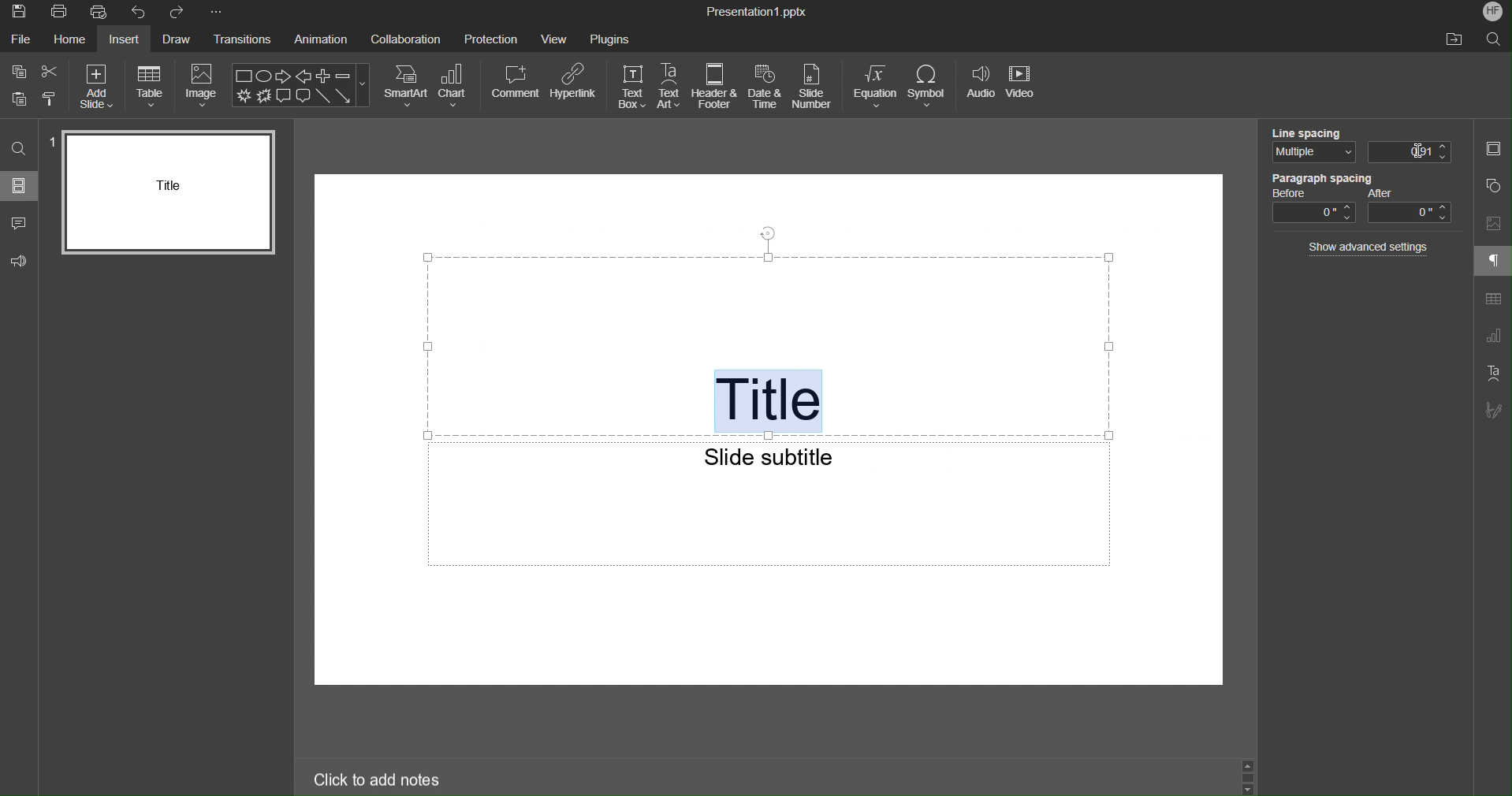  I want to click on Animation, so click(320, 41).